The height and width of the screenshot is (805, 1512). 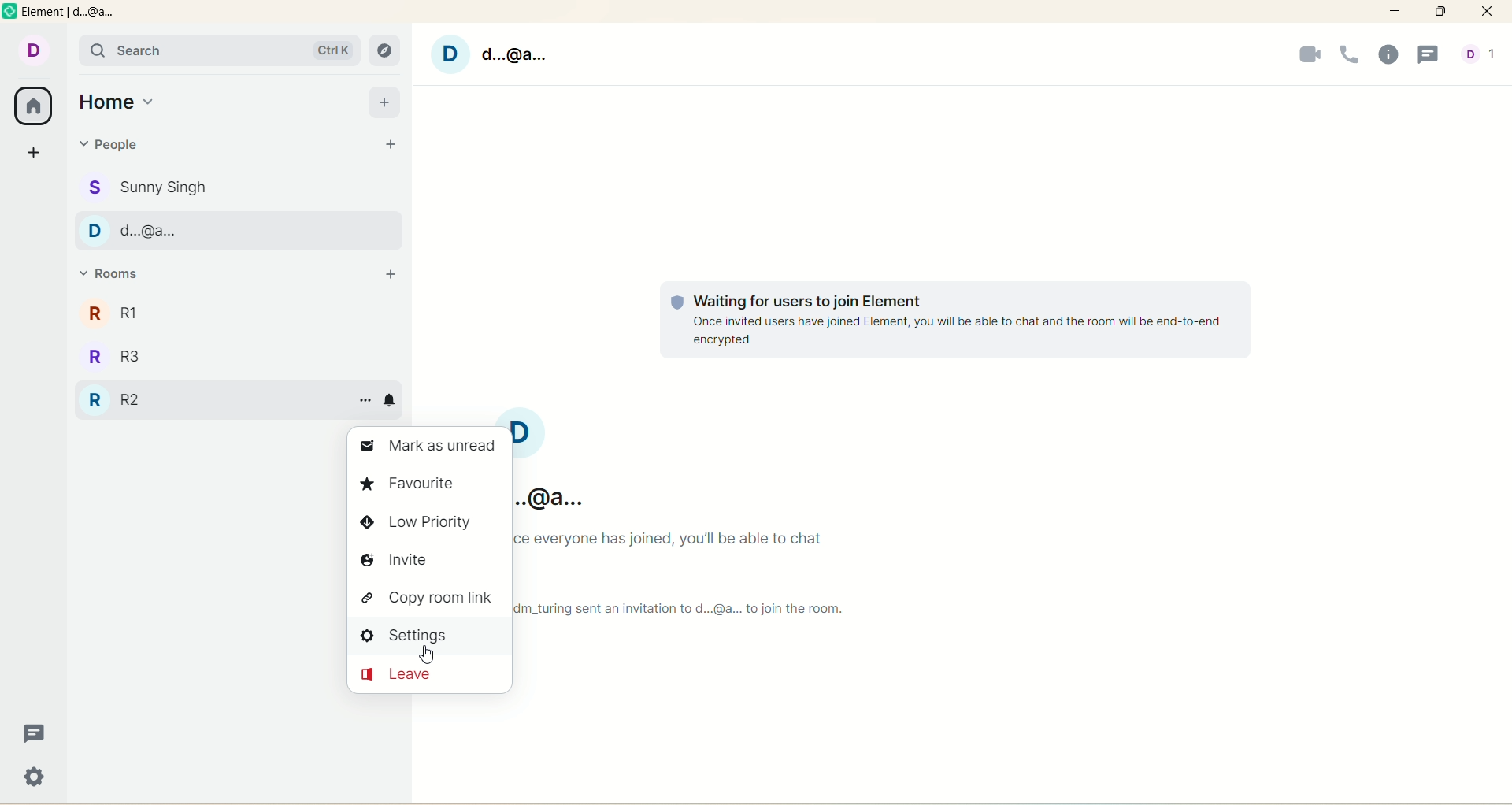 I want to click on account, so click(x=1482, y=55).